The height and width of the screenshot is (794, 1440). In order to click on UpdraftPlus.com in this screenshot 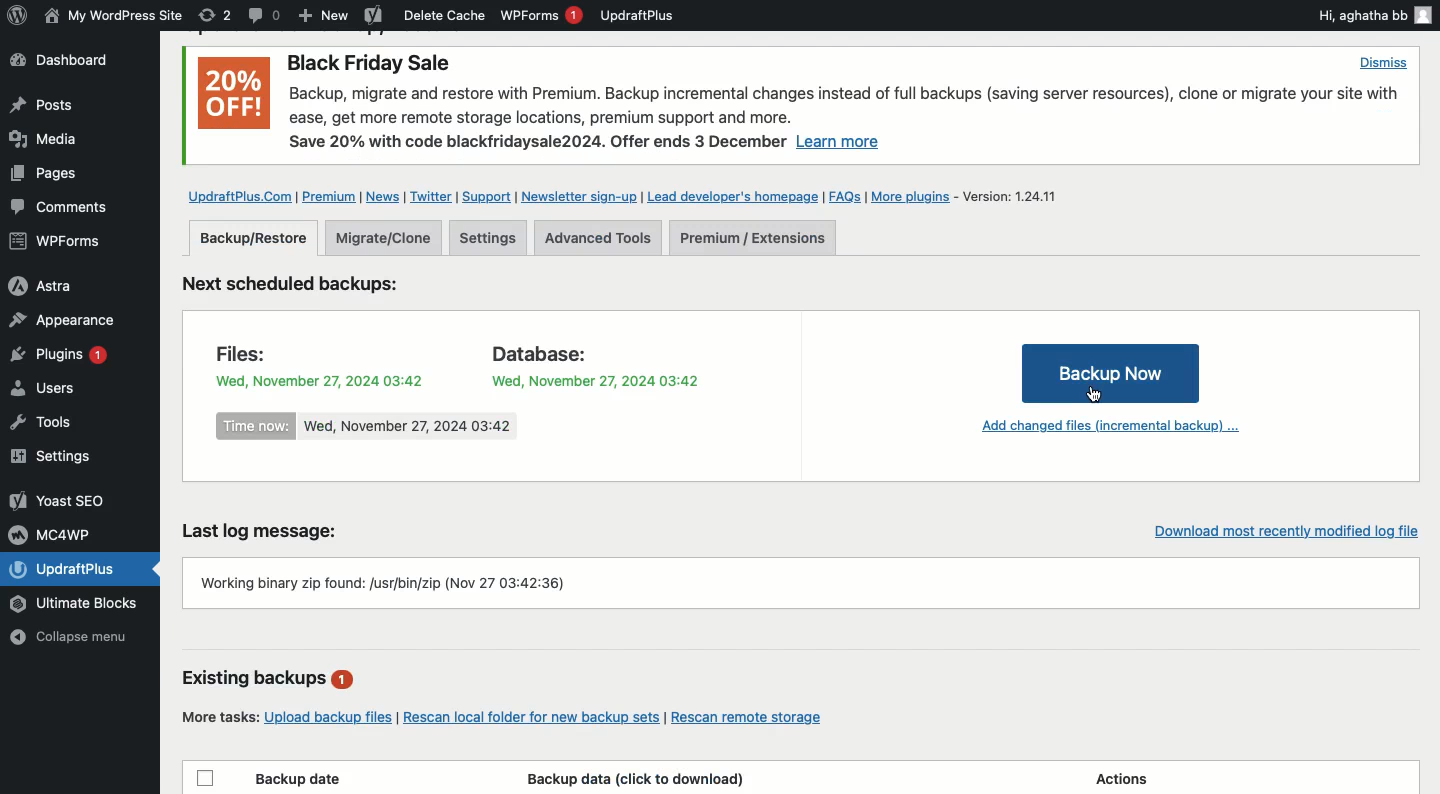, I will do `click(241, 196)`.